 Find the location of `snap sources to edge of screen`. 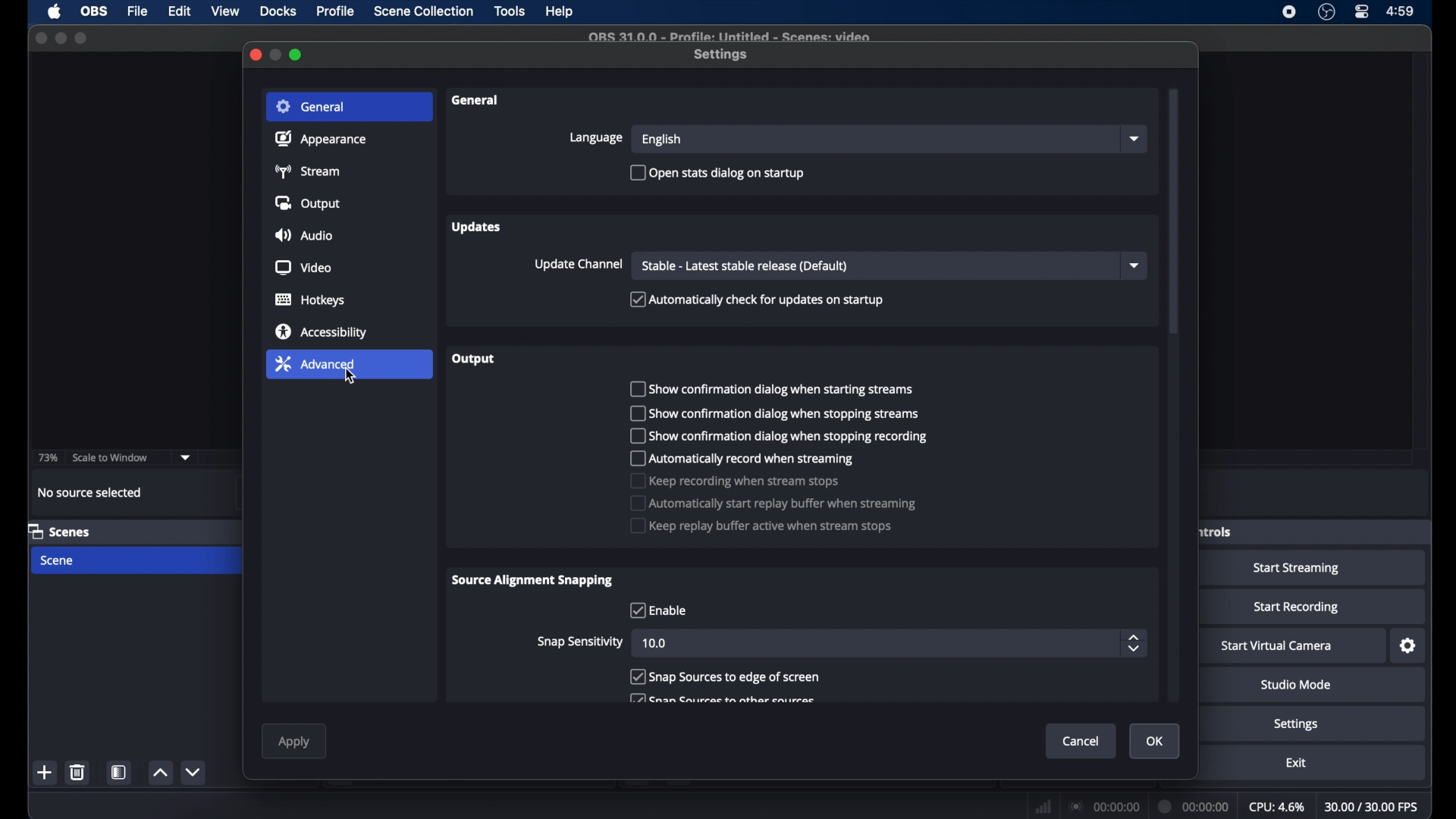

snap sources to edge of screen is located at coordinates (727, 676).